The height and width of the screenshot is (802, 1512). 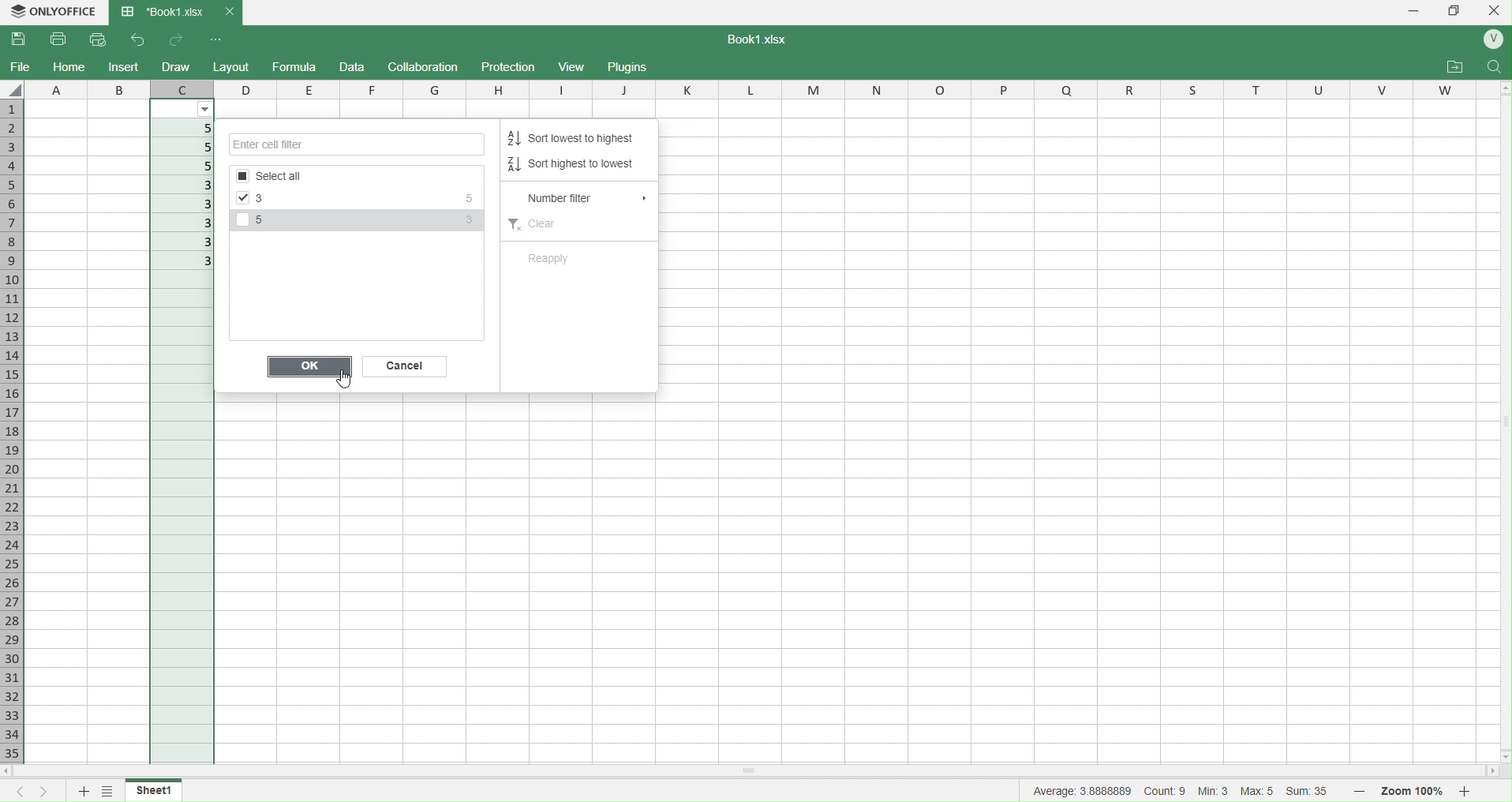 What do you see at coordinates (175, 39) in the screenshot?
I see `redo` at bounding box center [175, 39].